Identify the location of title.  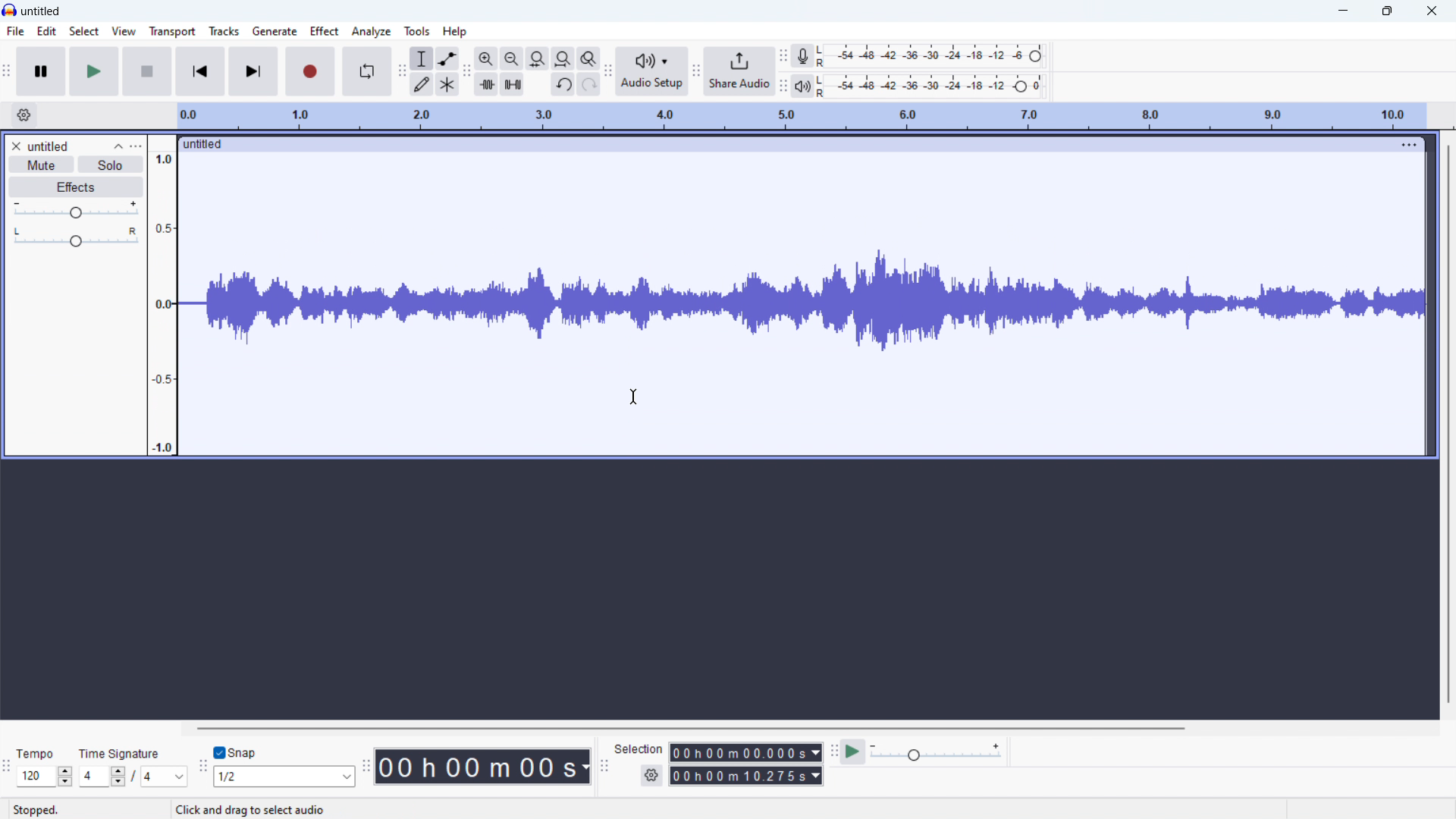
(39, 11).